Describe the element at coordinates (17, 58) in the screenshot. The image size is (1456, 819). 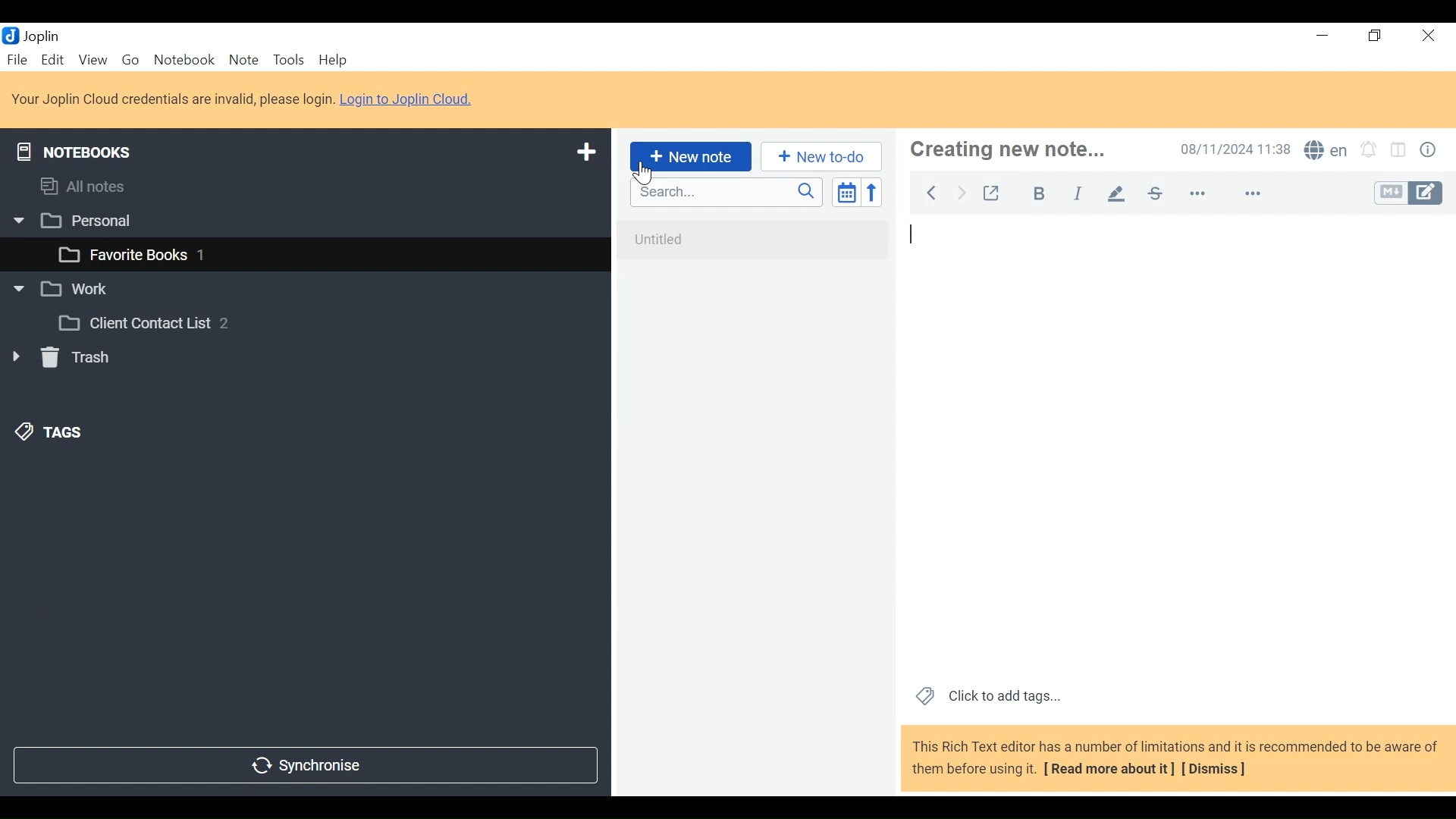
I see `File` at that location.